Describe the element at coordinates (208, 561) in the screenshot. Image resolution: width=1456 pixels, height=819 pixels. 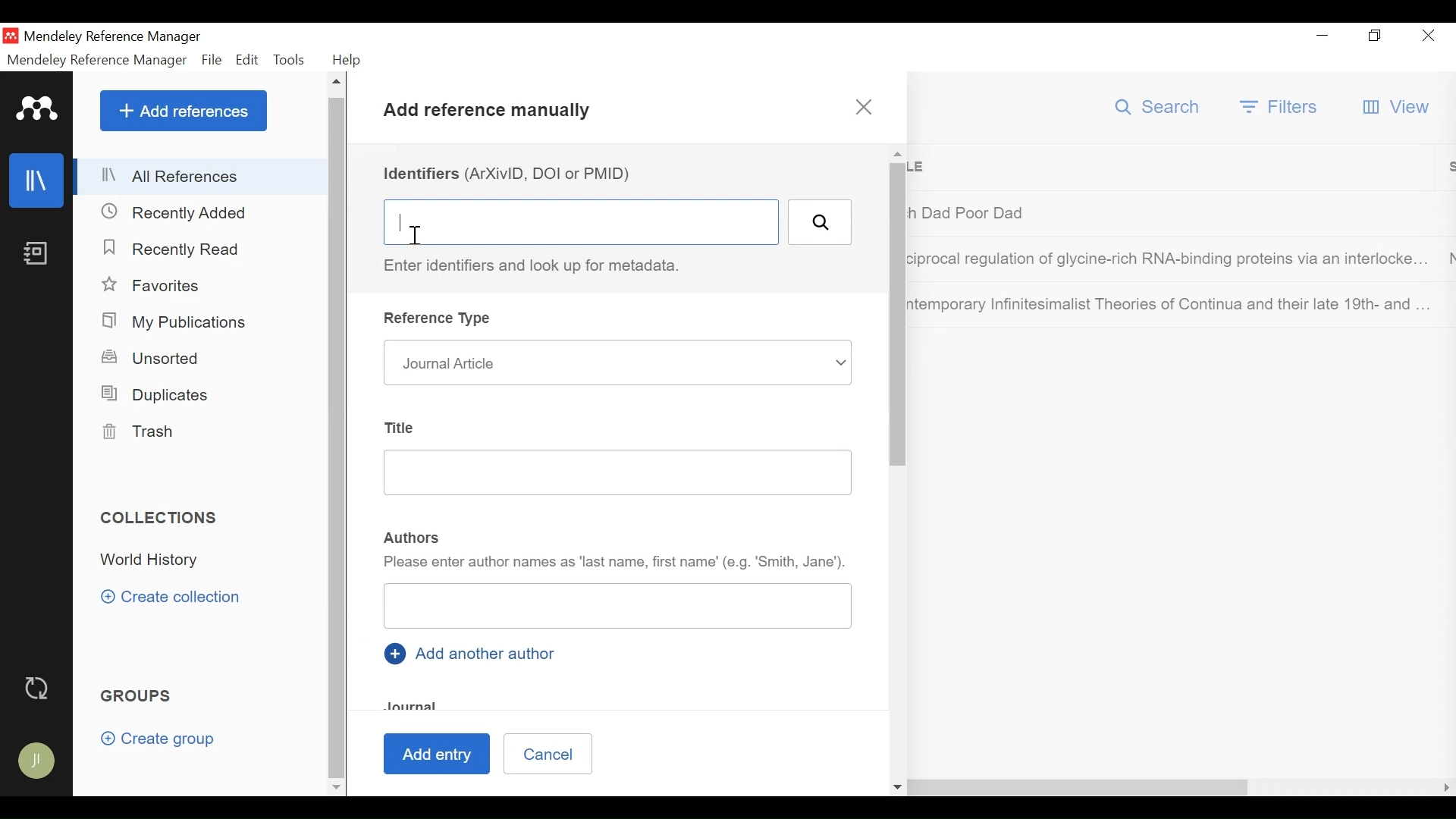
I see `Collection` at that location.